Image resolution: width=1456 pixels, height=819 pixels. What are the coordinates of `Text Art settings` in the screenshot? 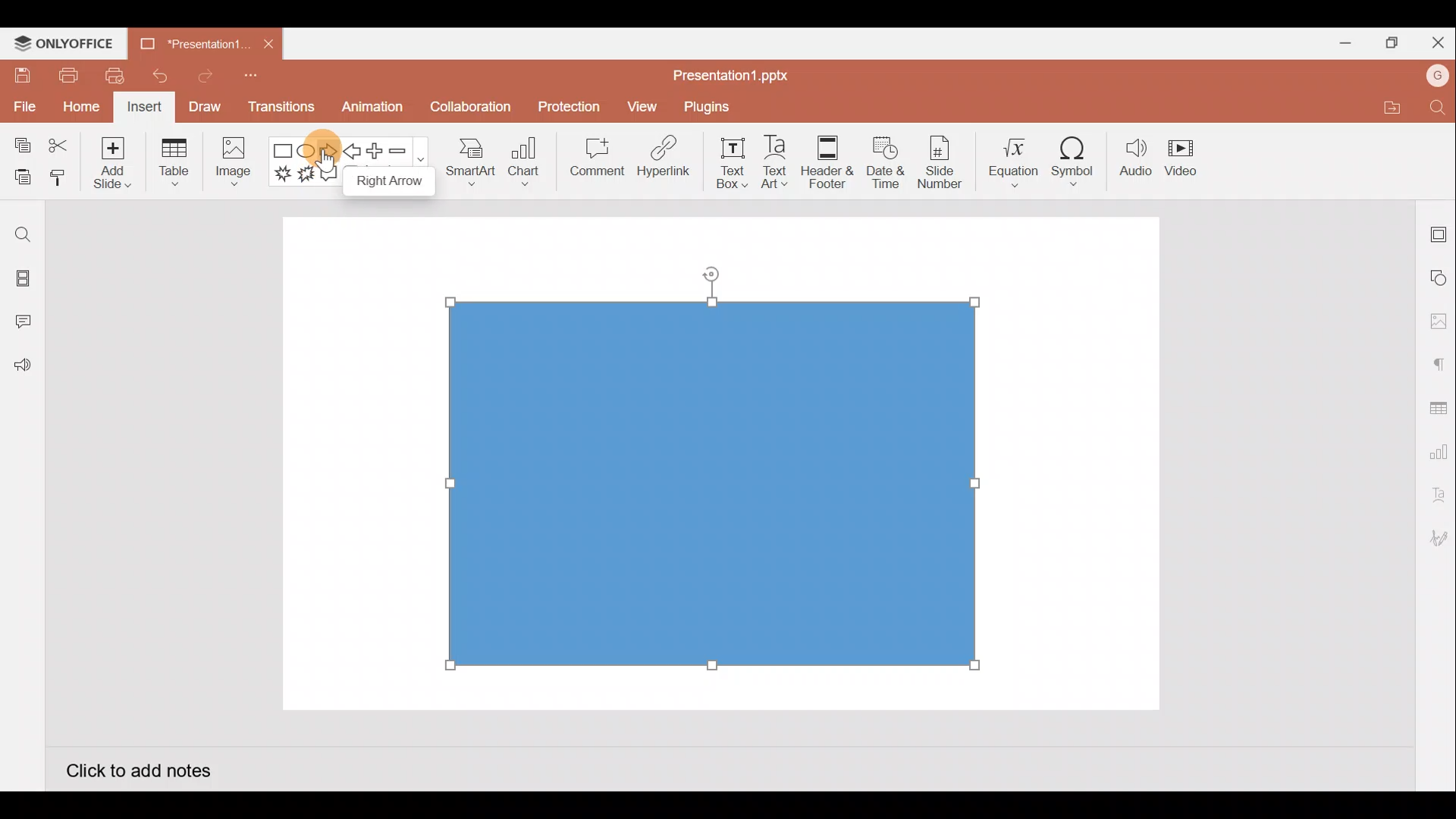 It's located at (1437, 495).